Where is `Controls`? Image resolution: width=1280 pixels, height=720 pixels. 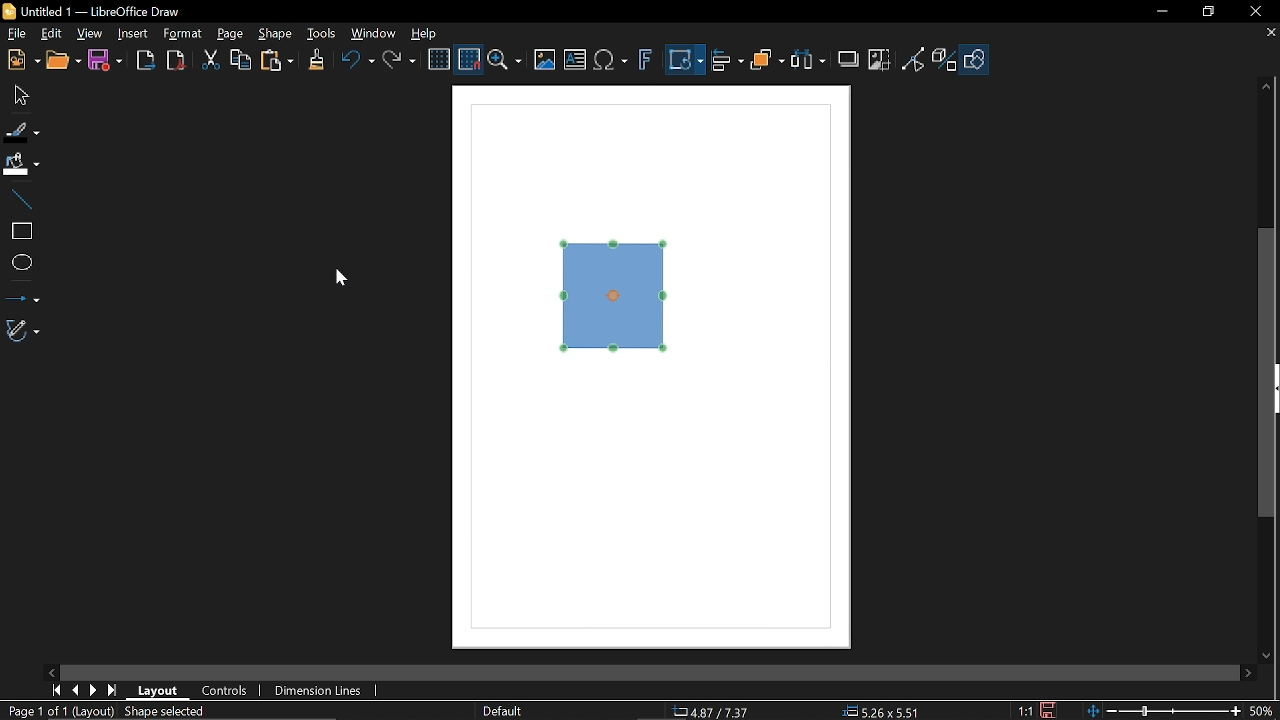 Controls is located at coordinates (224, 691).